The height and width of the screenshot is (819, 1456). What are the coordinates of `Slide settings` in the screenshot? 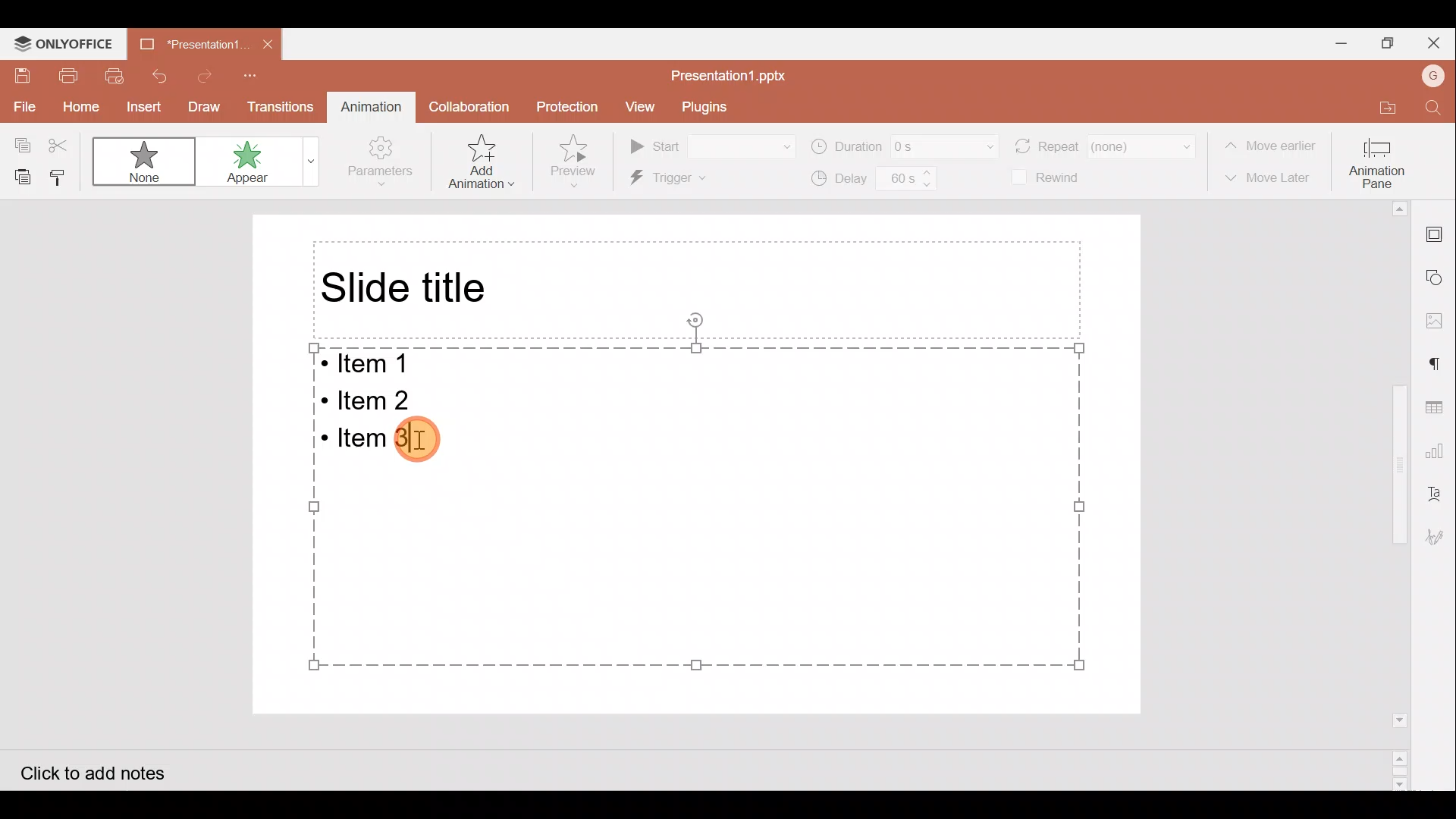 It's located at (1442, 237).